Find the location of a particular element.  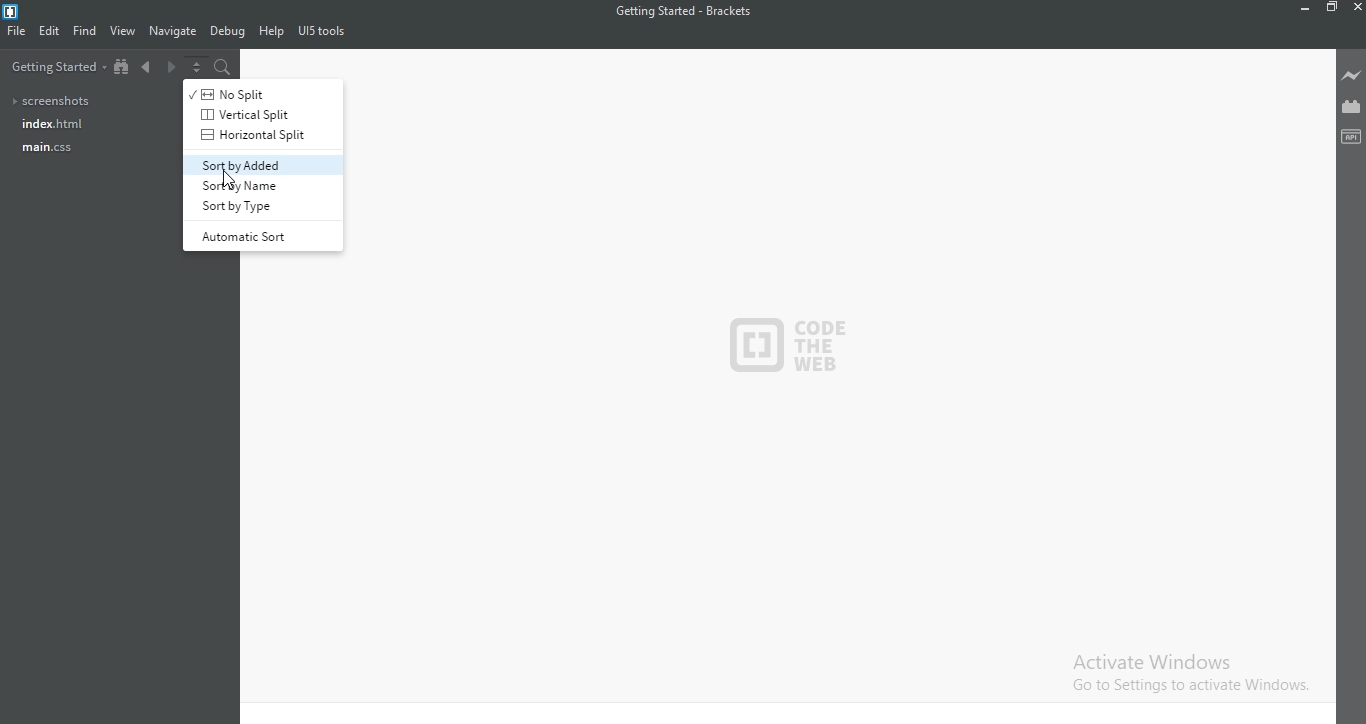

sort by Added is located at coordinates (260, 165).